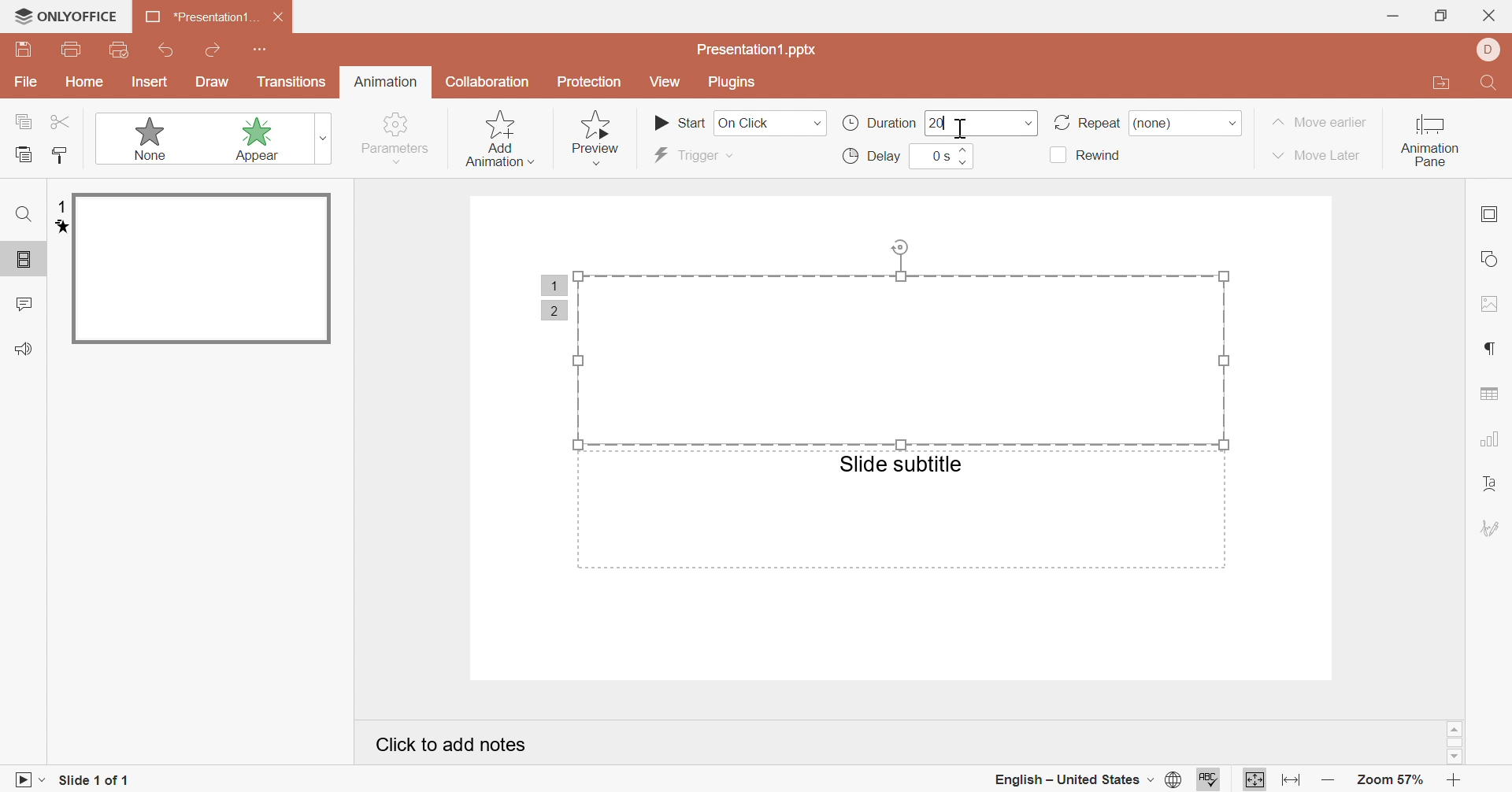  Describe the element at coordinates (61, 154) in the screenshot. I see `copy style` at that location.